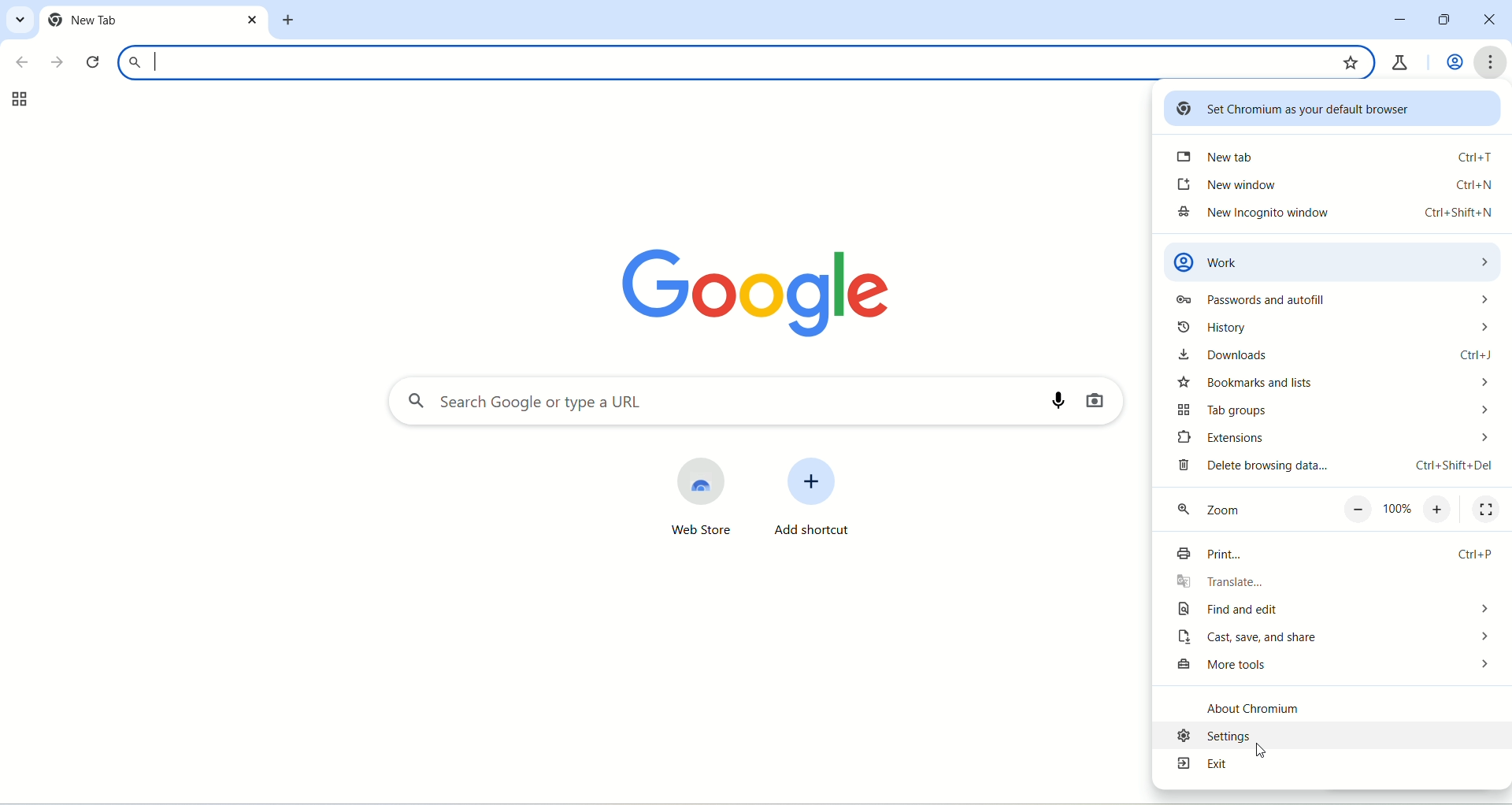 The image size is (1512, 805). I want to click on settings, so click(1330, 735).